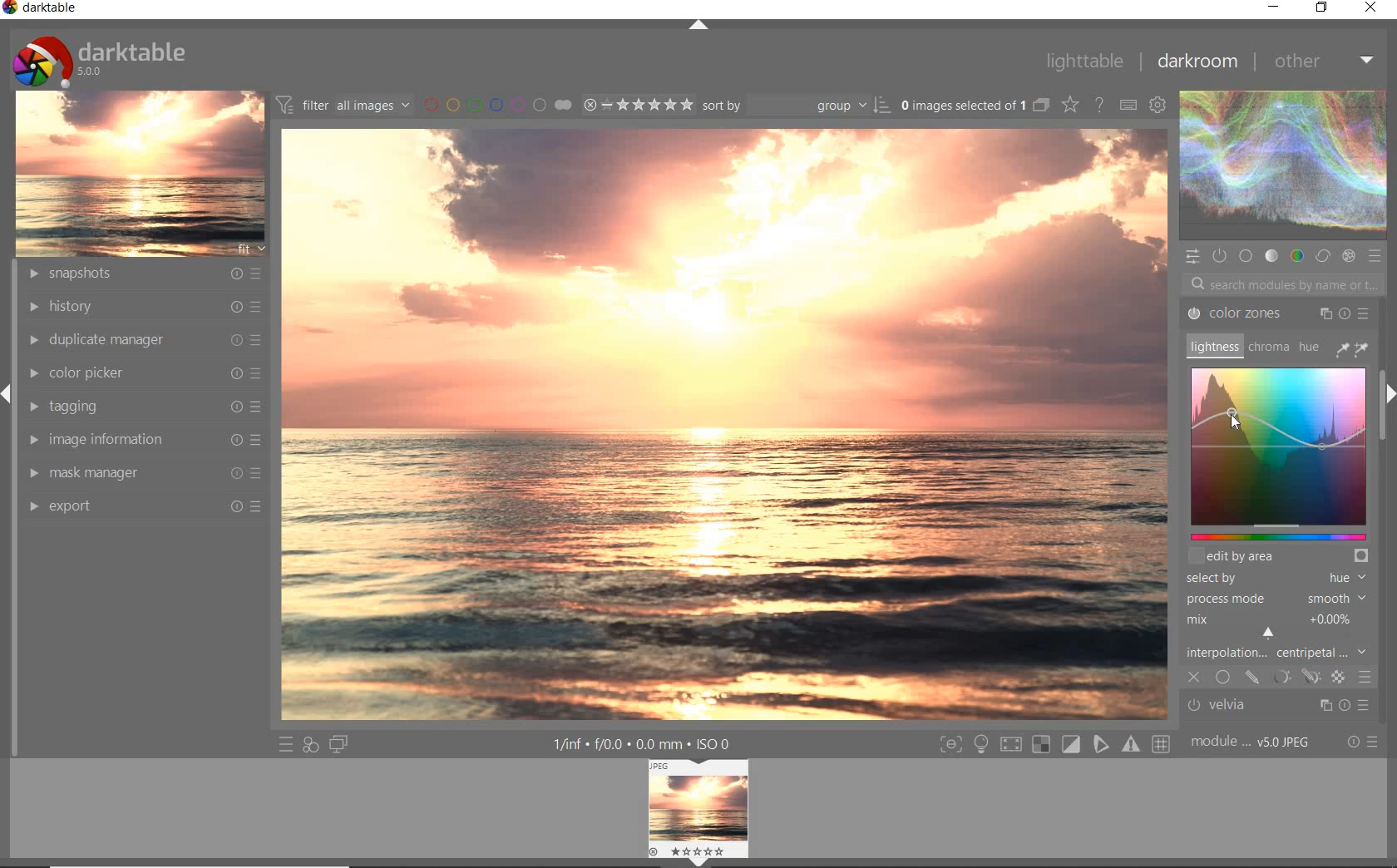 Image resolution: width=1397 pixels, height=868 pixels. Describe the element at coordinates (1054, 744) in the screenshot. I see `TOGGLE MODE` at that location.